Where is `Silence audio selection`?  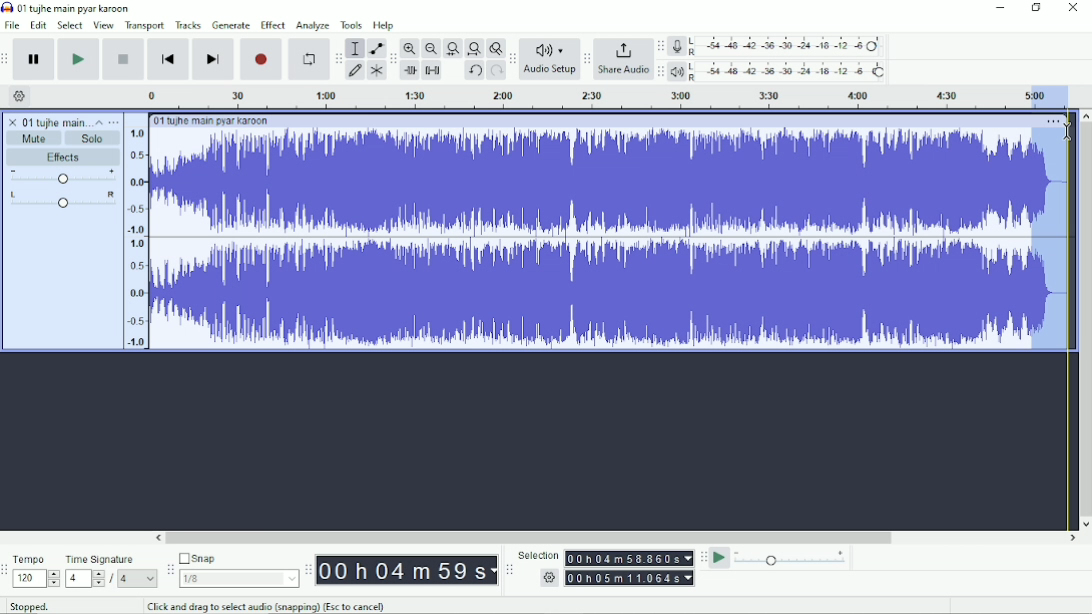 Silence audio selection is located at coordinates (433, 70).